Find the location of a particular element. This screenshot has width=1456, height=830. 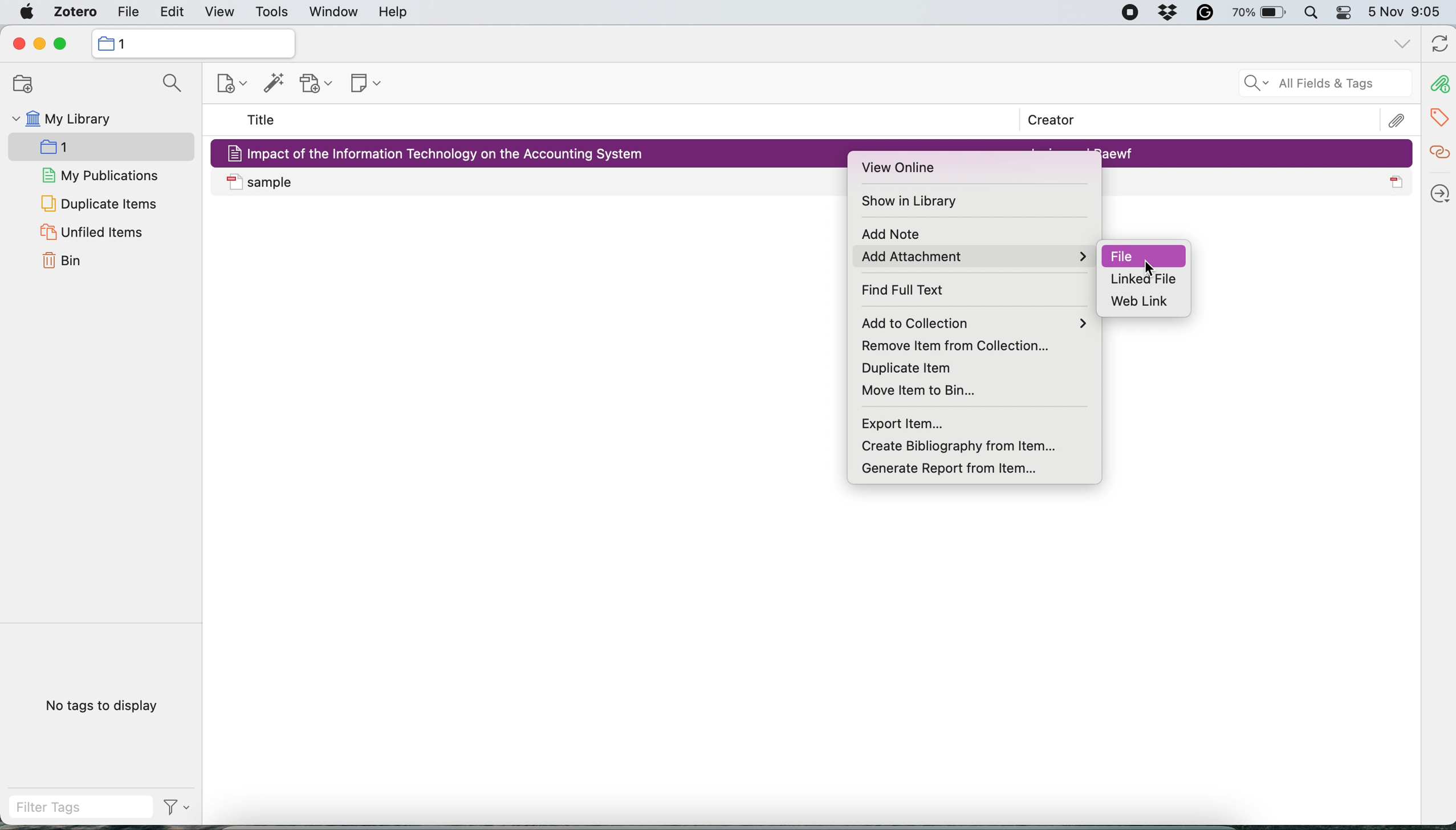

export item is located at coordinates (906, 423).